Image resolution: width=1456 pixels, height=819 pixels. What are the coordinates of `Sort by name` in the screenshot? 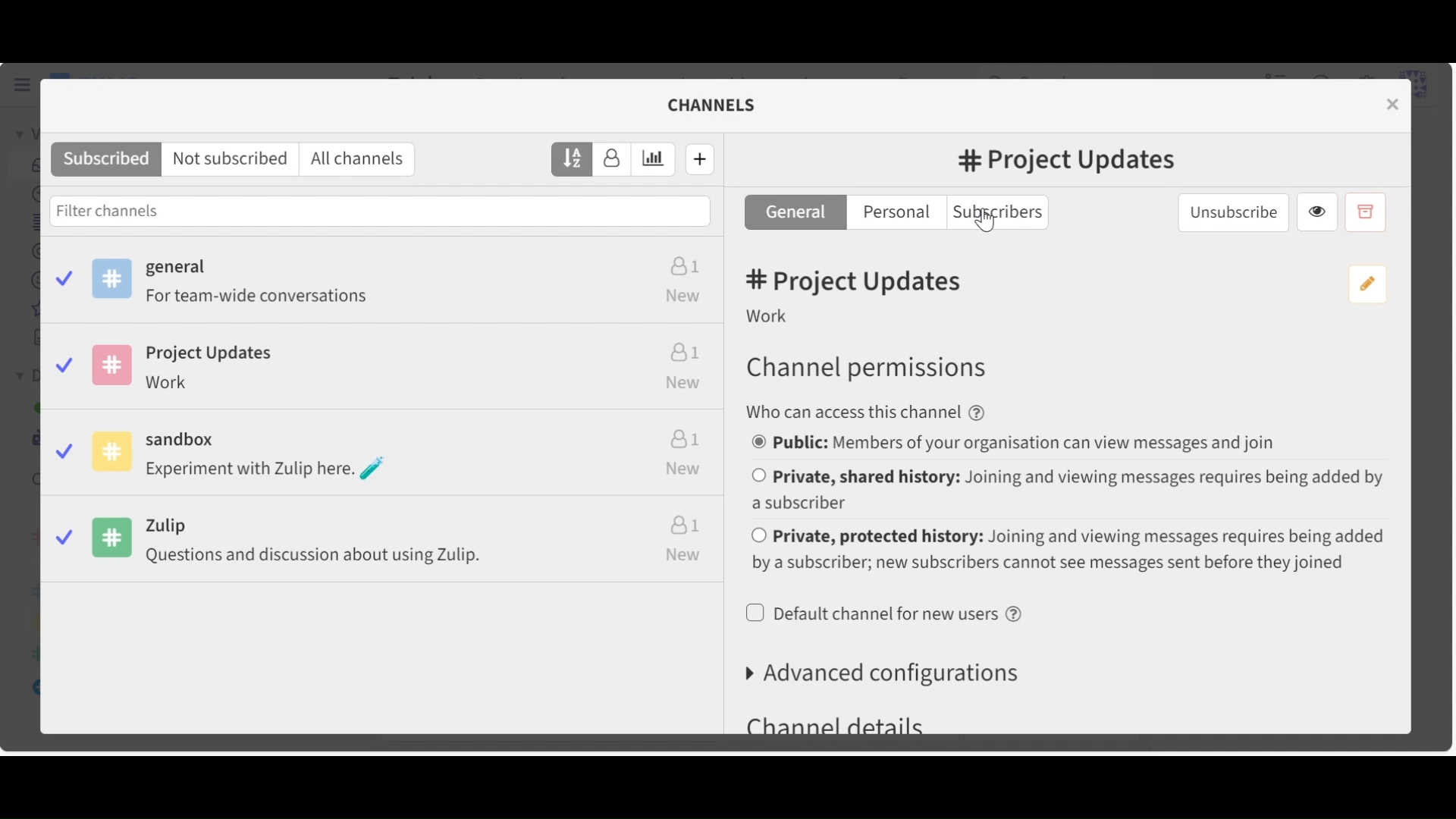 It's located at (572, 158).